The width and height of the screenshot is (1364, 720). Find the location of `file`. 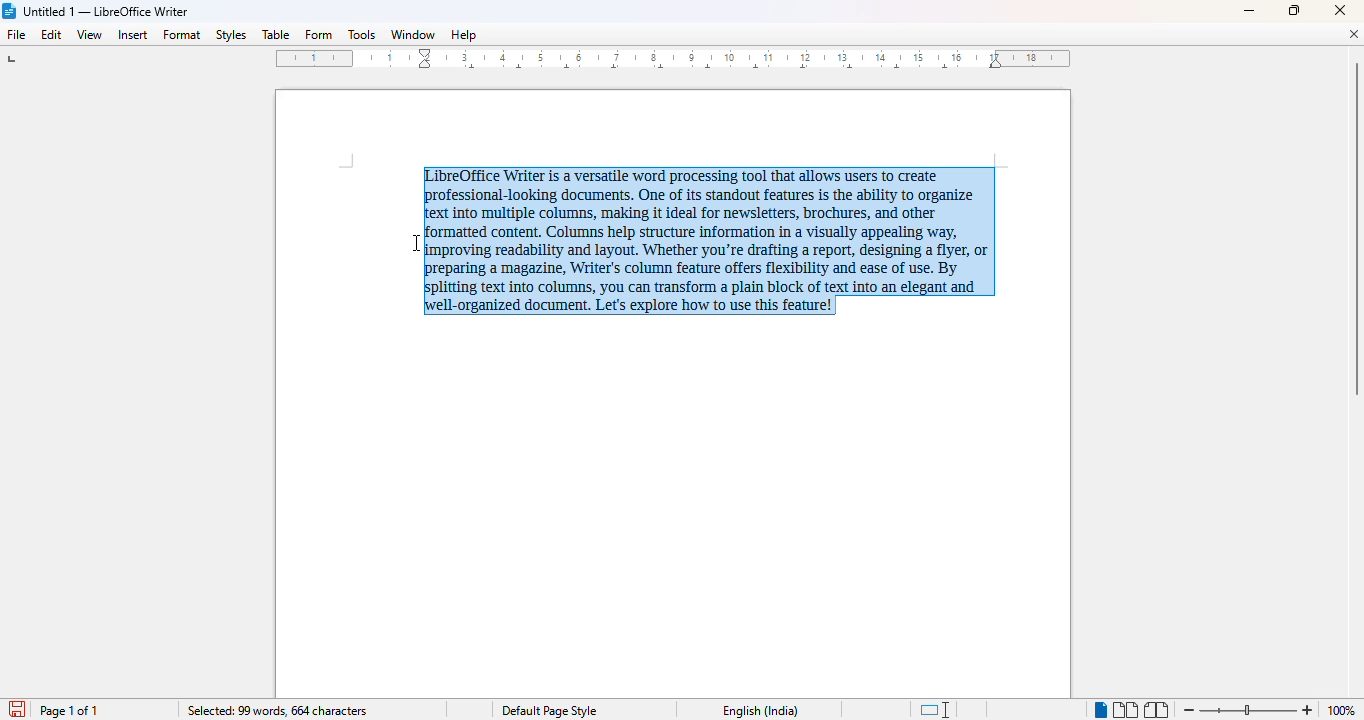

file is located at coordinates (15, 34).